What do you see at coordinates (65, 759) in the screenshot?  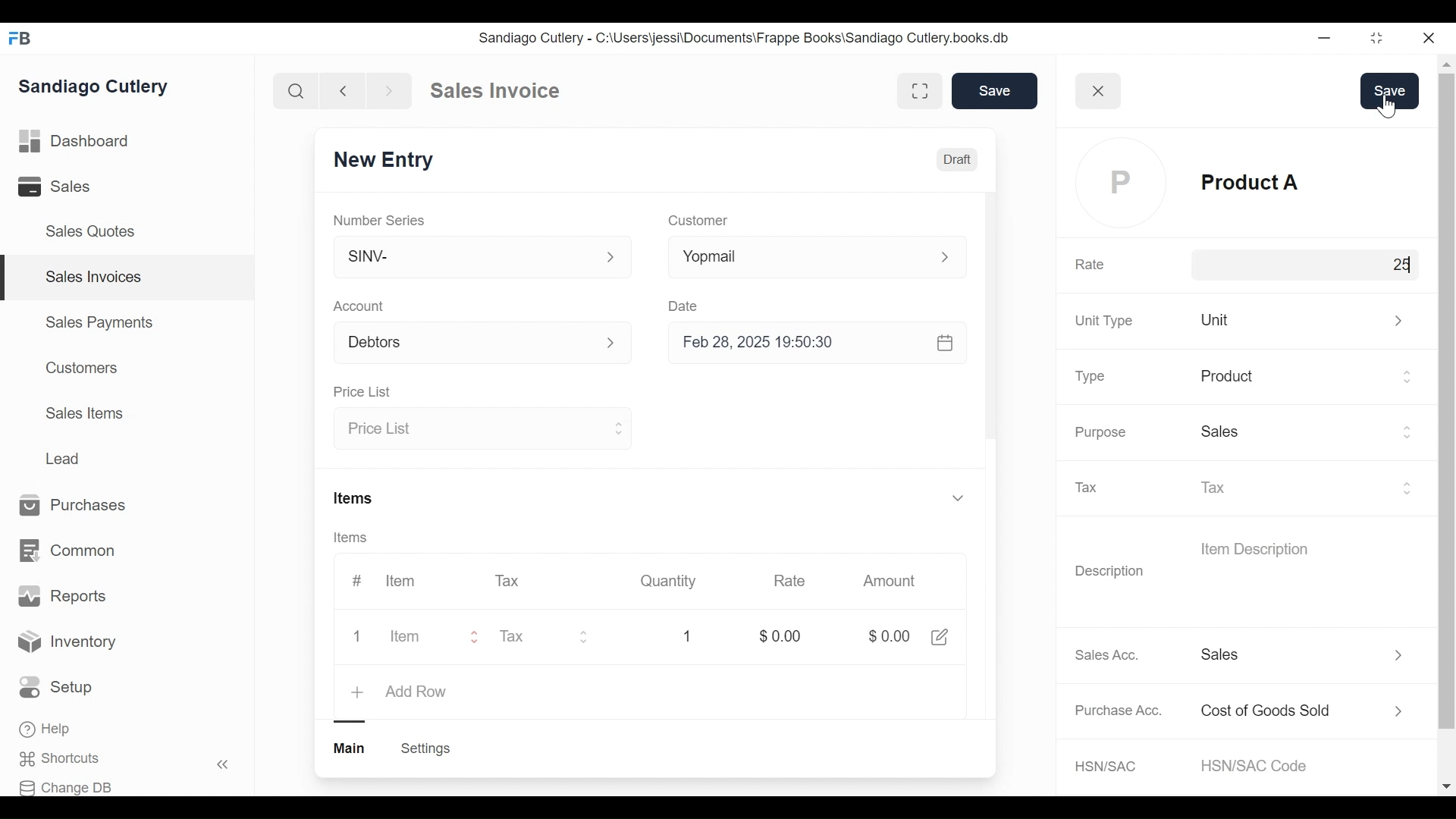 I see `Shortcuts` at bounding box center [65, 759].